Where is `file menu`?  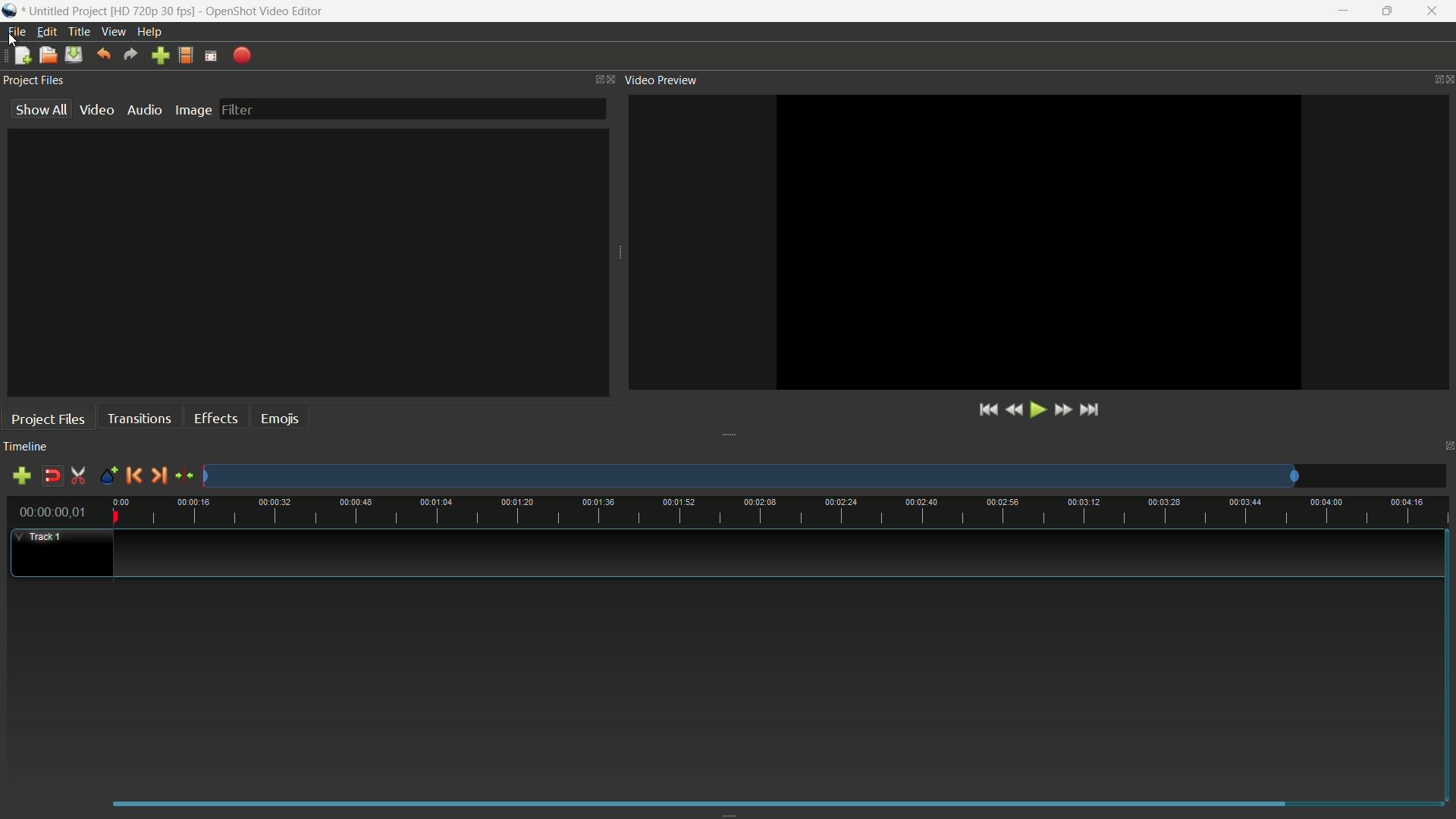
file menu is located at coordinates (17, 31).